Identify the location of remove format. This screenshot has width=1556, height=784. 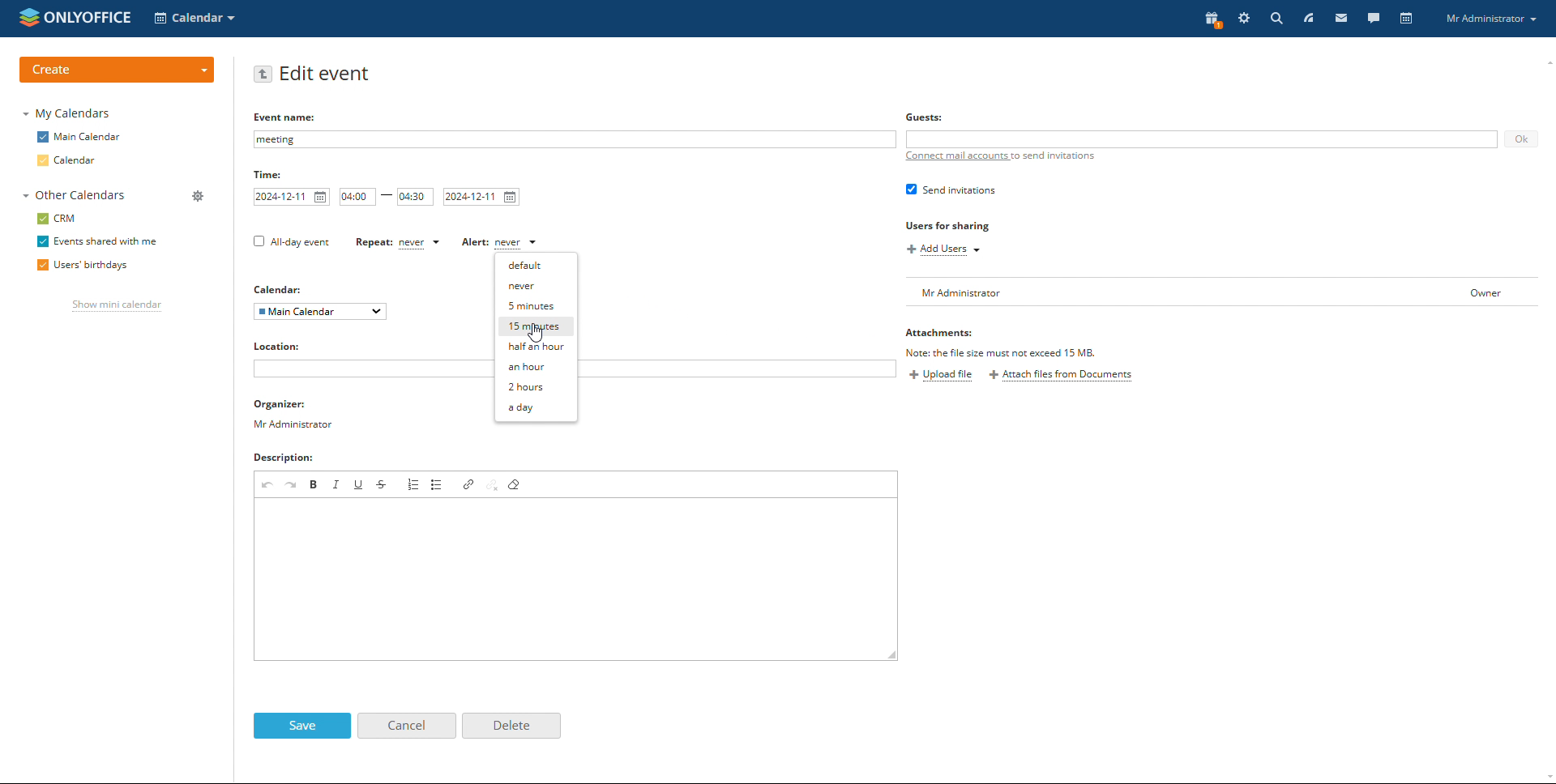
(515, 485).